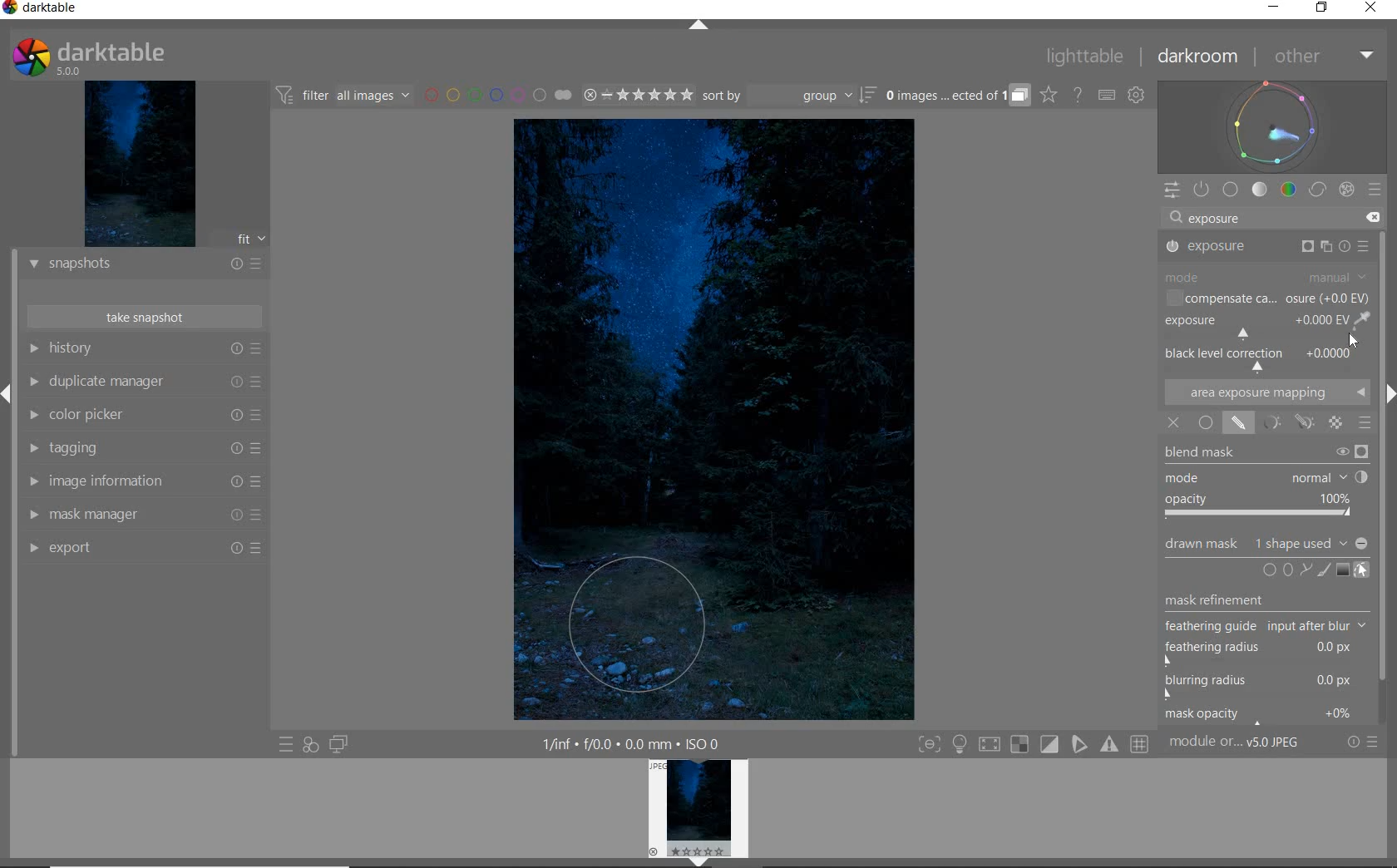 This screenshot has width=1397, height=868. I want to click on OFF, so click(1173, 423).